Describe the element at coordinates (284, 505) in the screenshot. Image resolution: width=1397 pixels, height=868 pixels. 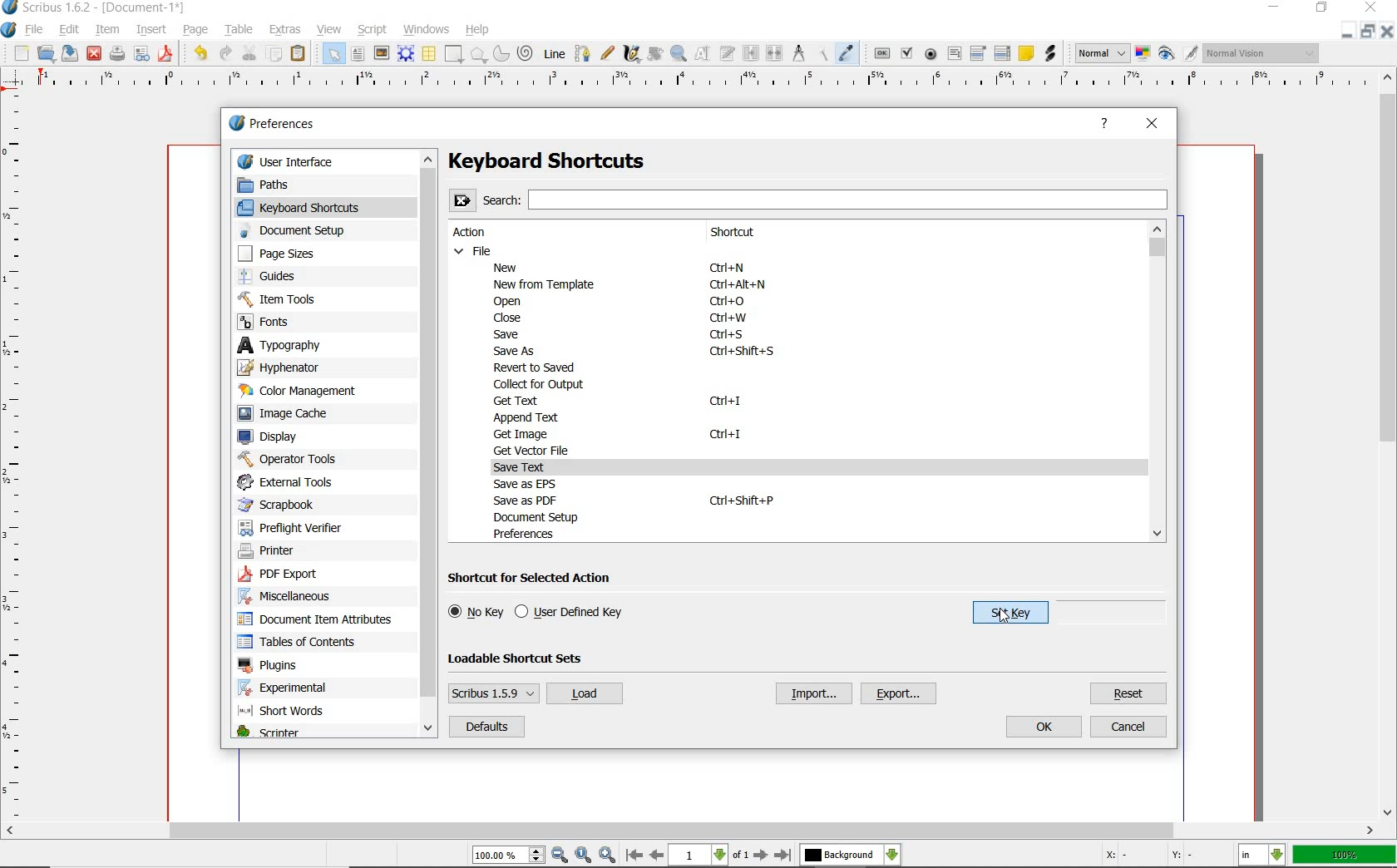
I see `scrapbook` at that location.